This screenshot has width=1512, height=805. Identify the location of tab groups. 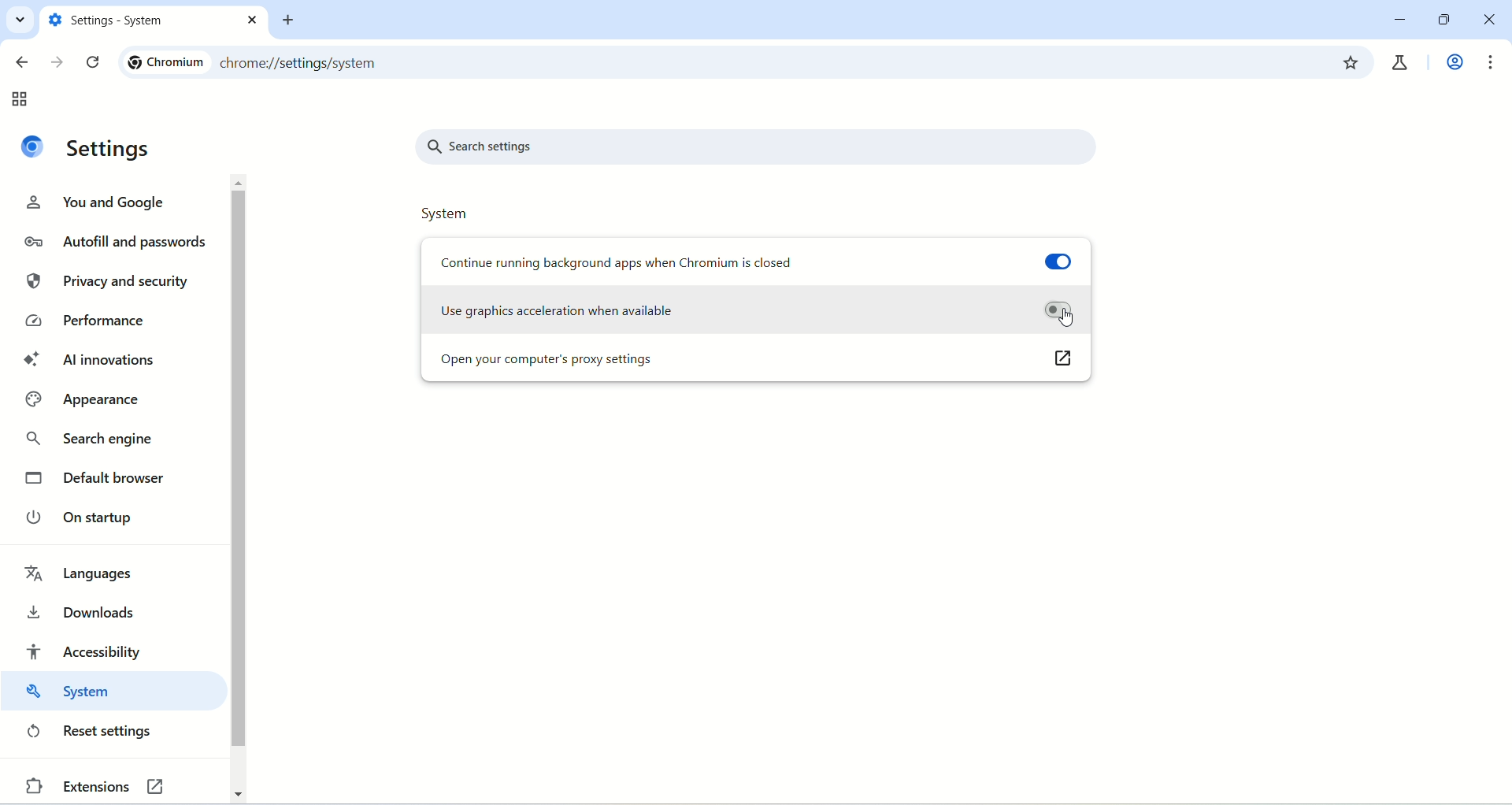
(23, 100).